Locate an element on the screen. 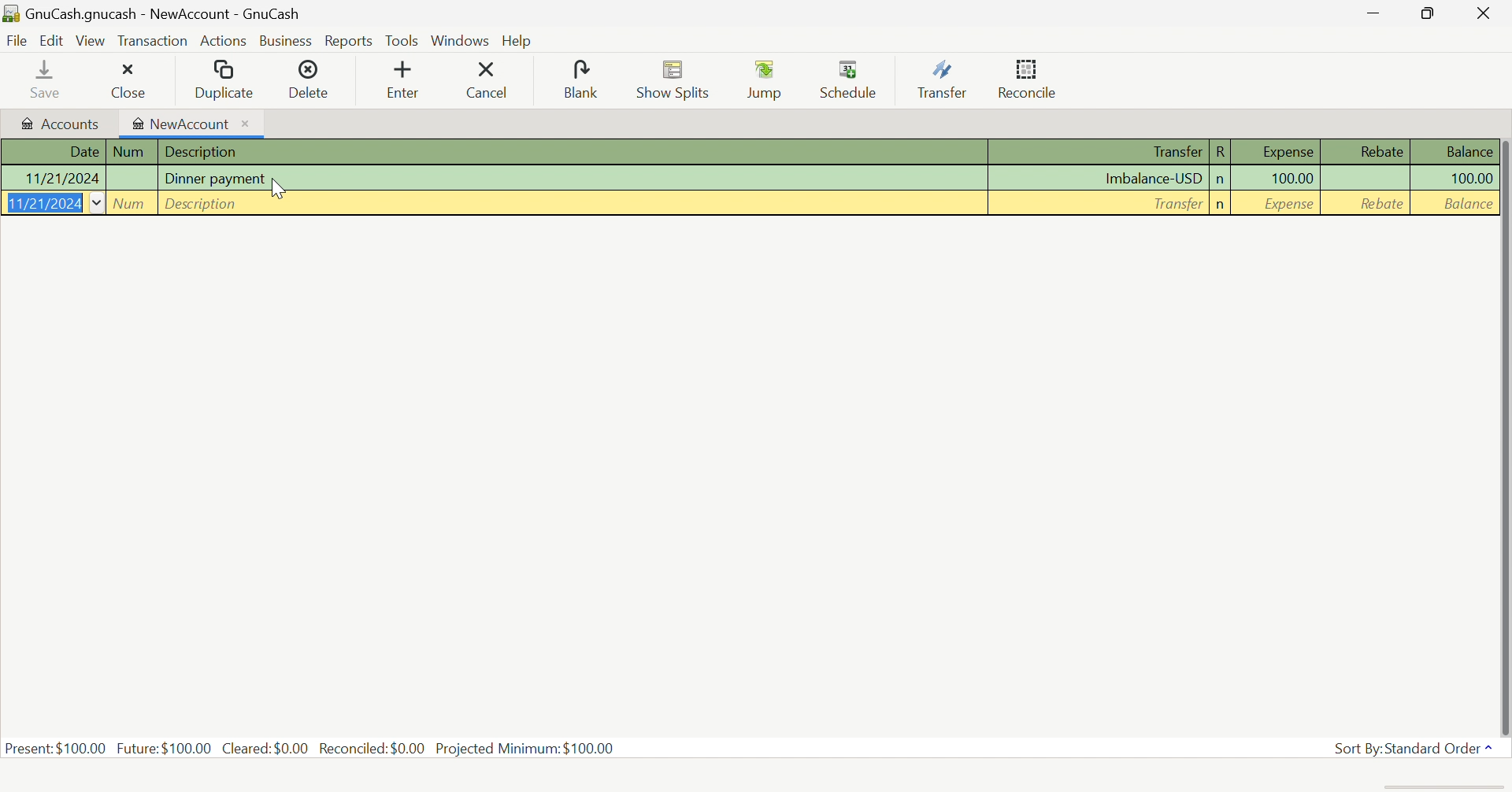  Description is located at coordinates (200, 205).